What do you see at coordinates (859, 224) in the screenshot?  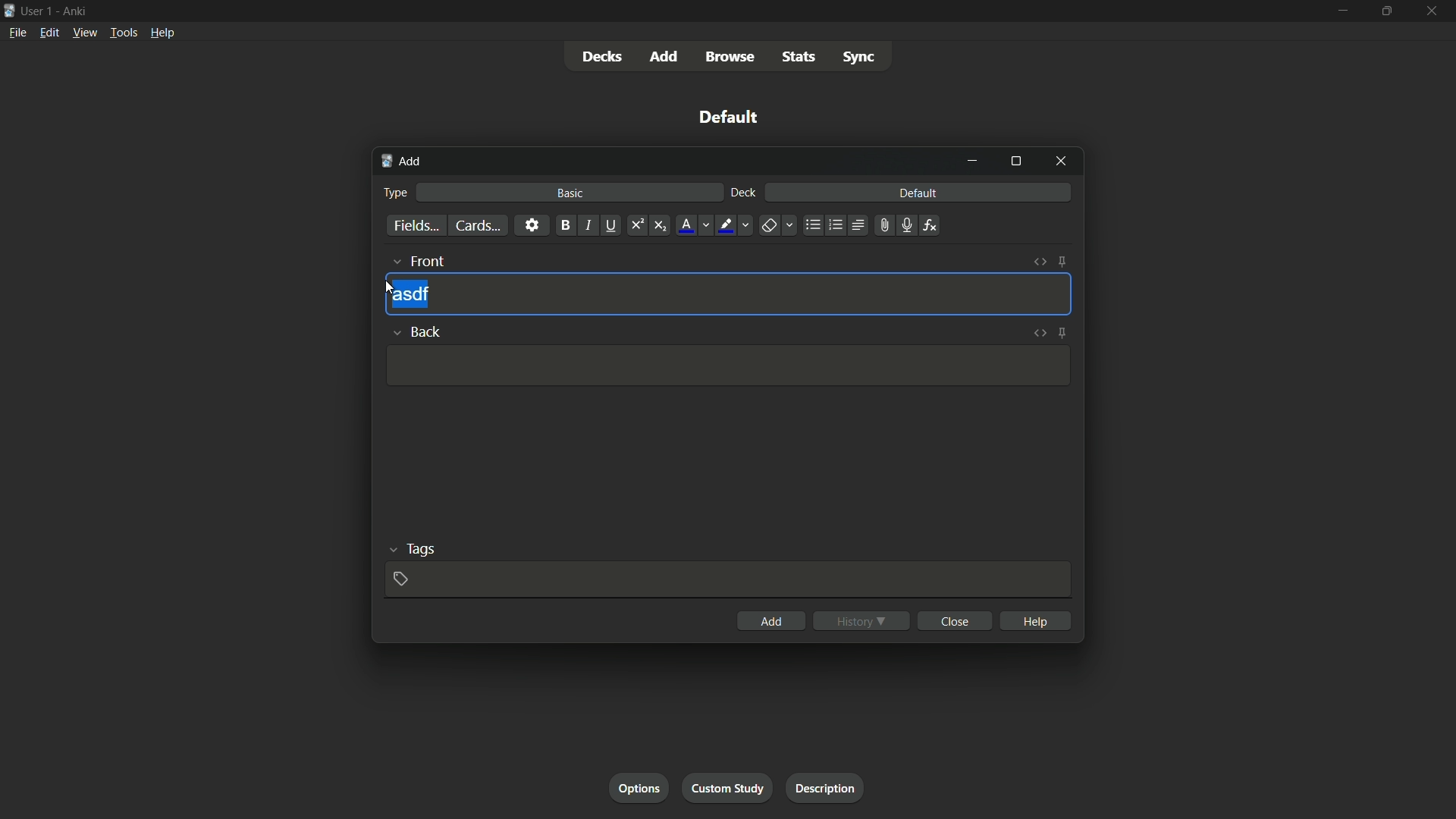 I see `alignment` at bounding box center [859, 224].